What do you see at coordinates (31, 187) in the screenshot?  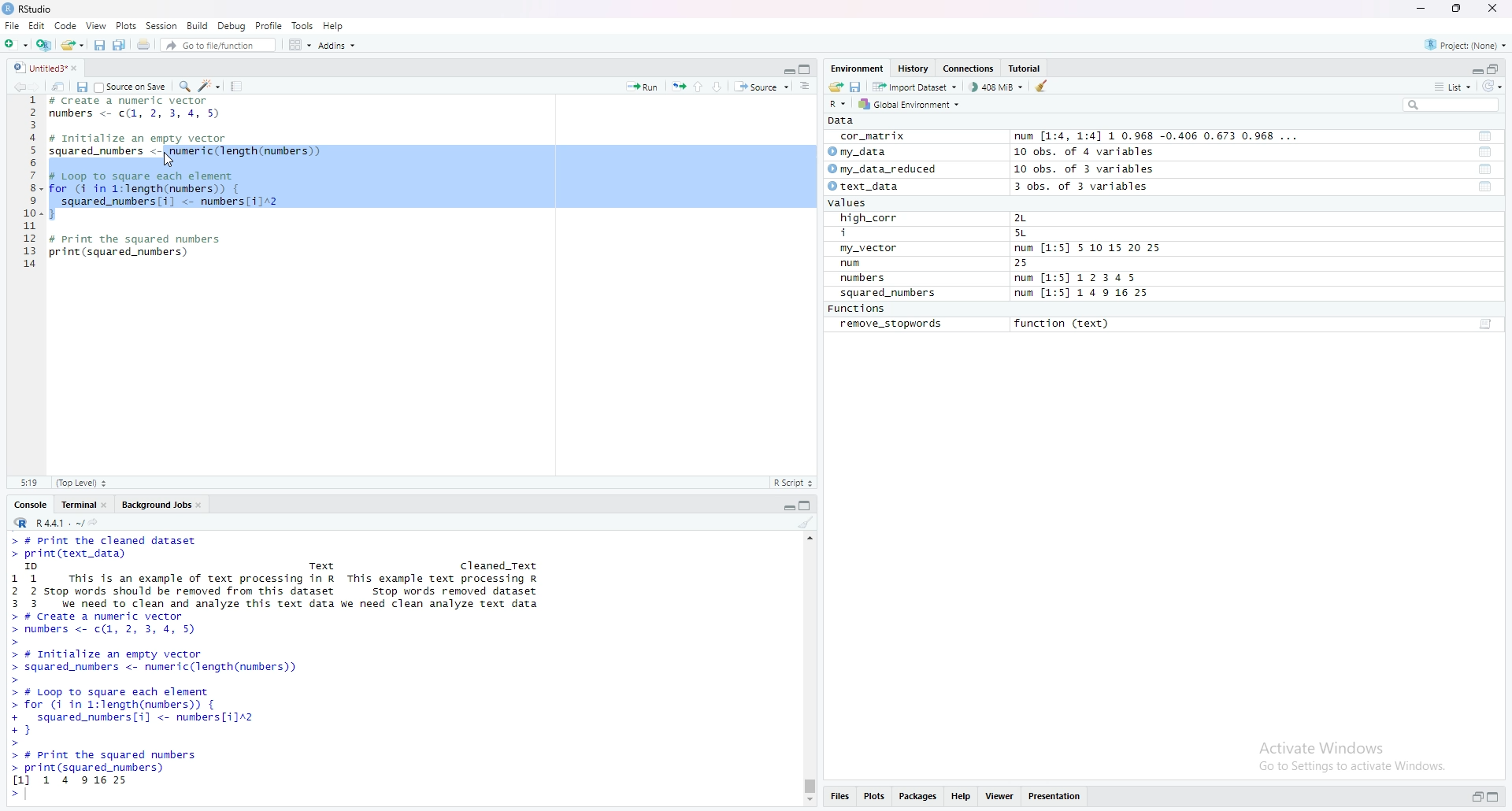 I see `line number` at bounding box center [31, 187].